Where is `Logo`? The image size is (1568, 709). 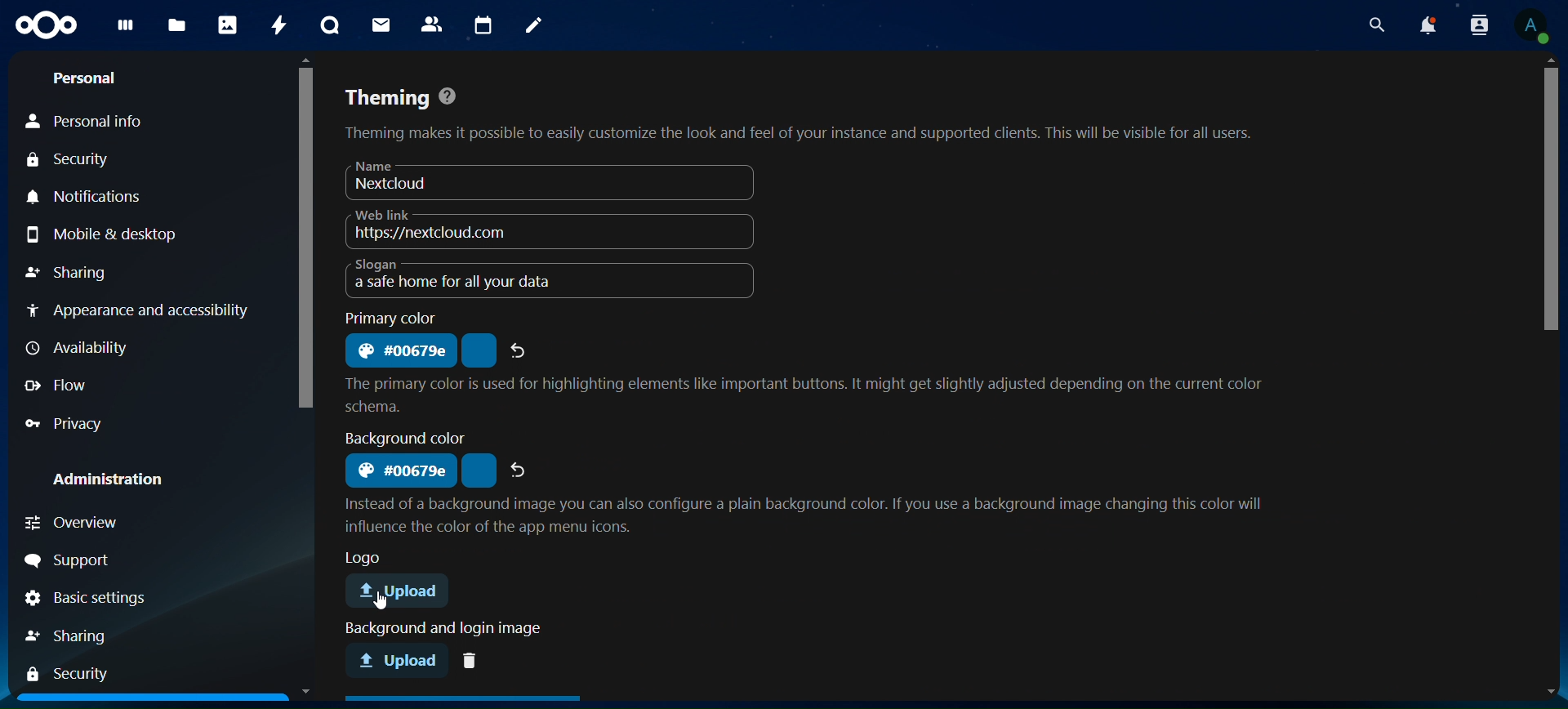
Logo is located at coordinates (367, 556).